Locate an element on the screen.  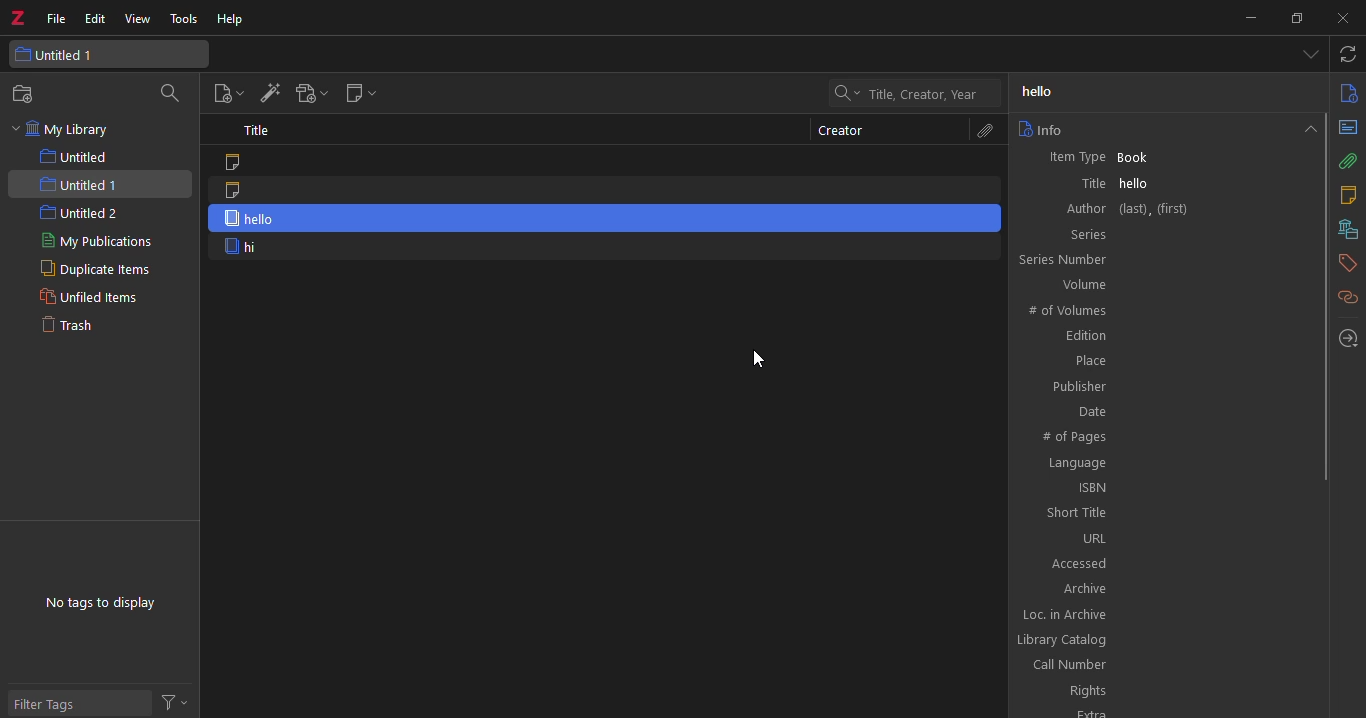
Volume is located at coordinates (1164, 284).